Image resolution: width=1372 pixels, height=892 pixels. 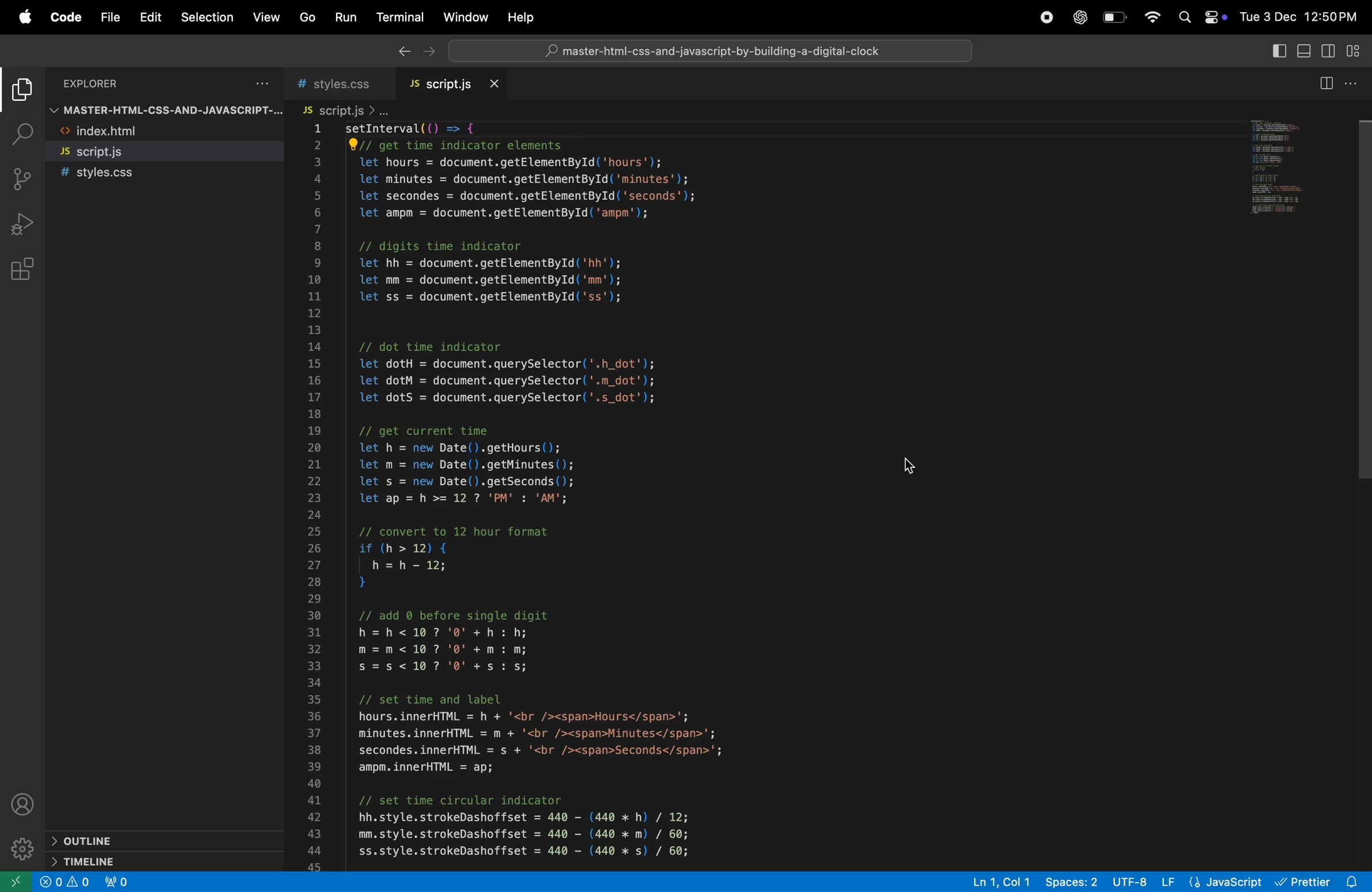 What do you see at coordinates (24, 802) in the screenshot?
I see `profile` at bounding box center [24, 802].